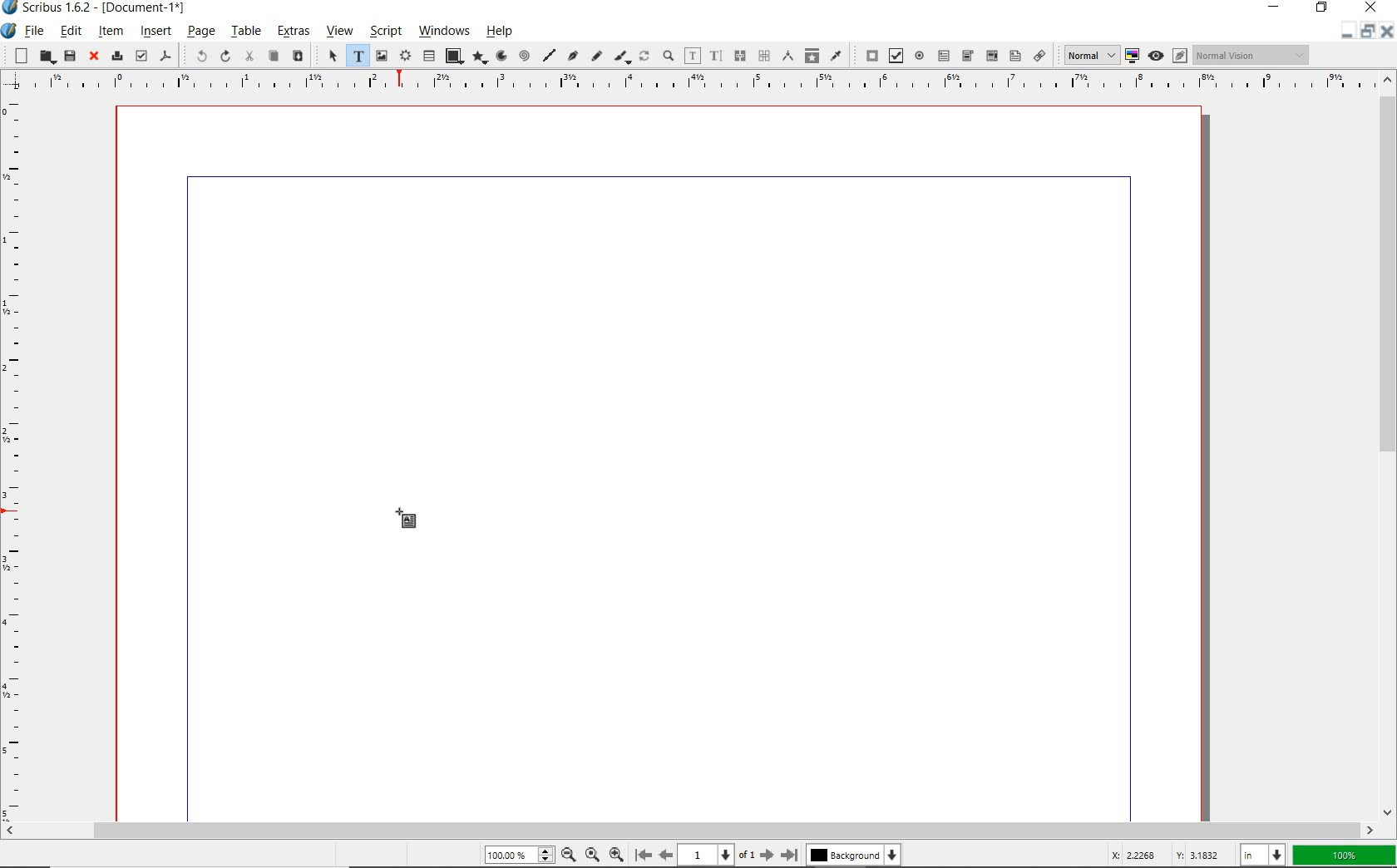 Image resolution: width=1397 pixels, height=868 pixels. I want to click on measurements, so click(787, 57).